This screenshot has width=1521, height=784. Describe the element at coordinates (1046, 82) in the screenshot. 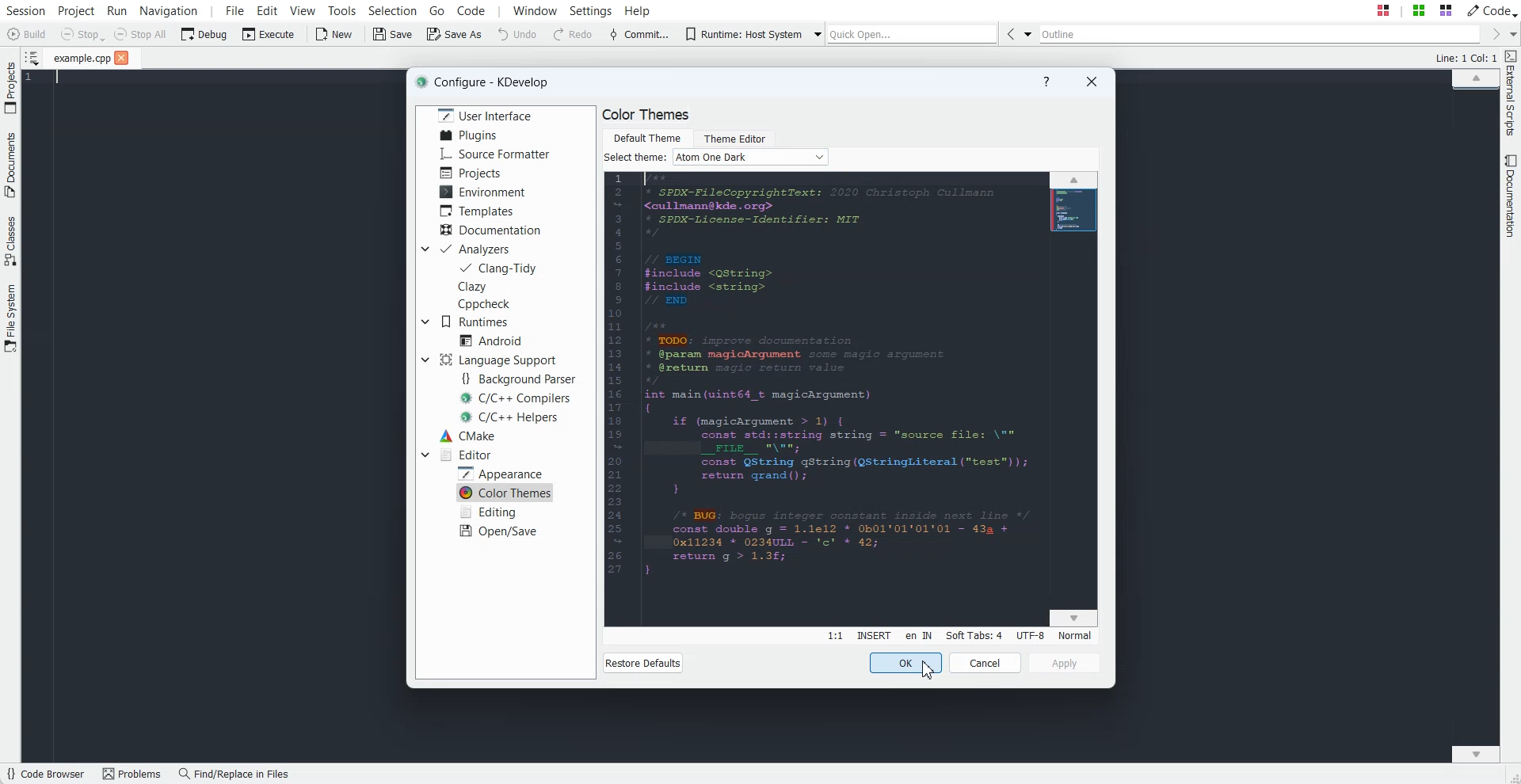

I see `Help` at that location.